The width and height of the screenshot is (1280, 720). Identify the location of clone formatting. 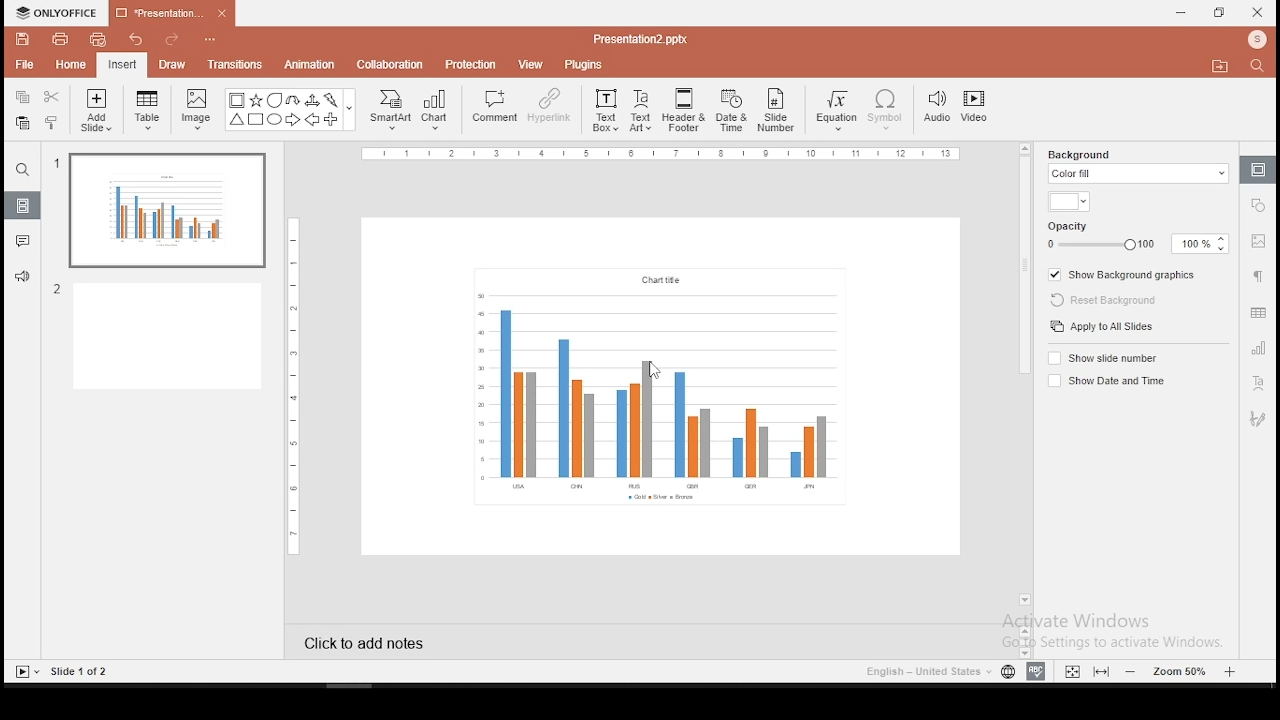
(51, 124).